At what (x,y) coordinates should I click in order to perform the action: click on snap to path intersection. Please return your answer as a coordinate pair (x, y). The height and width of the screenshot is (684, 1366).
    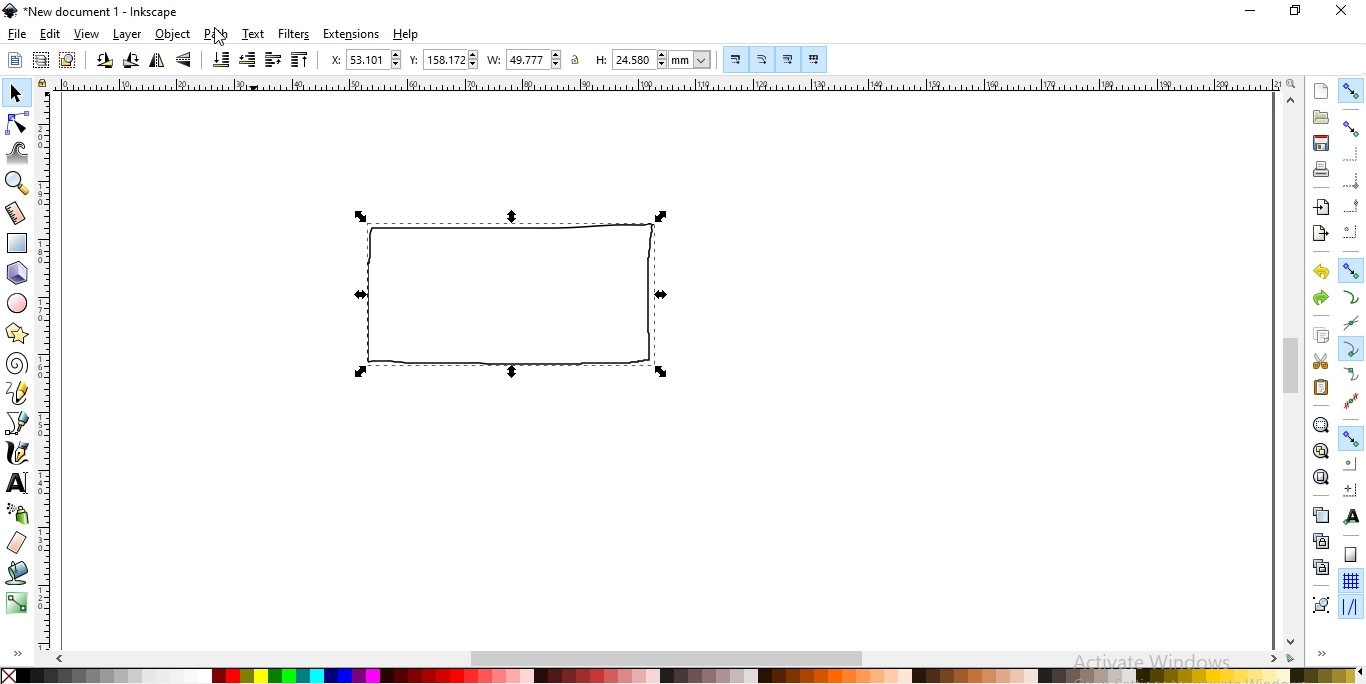
    Looking at the image, I should click on (1350, 326).